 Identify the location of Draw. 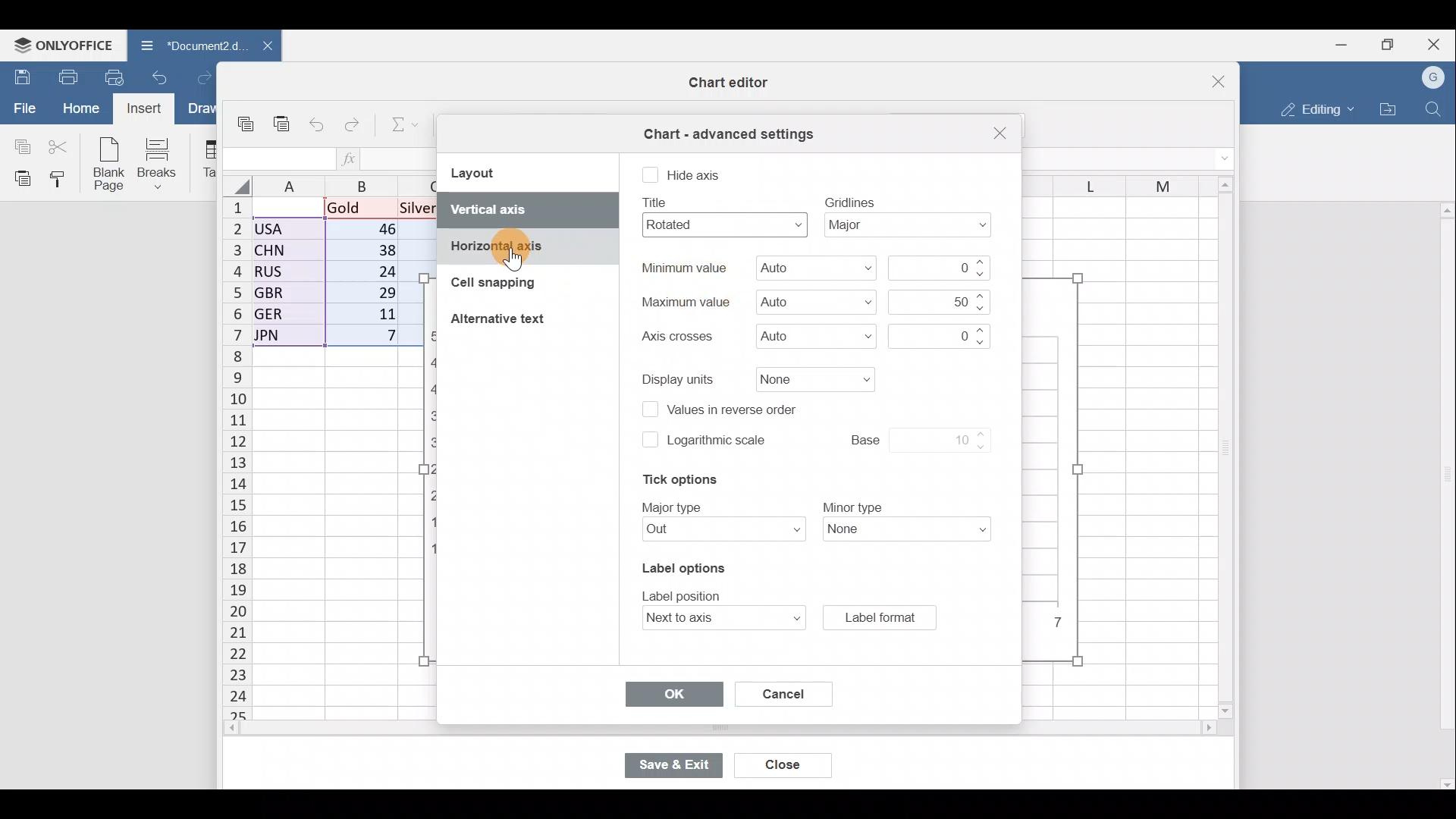
(201, 108).